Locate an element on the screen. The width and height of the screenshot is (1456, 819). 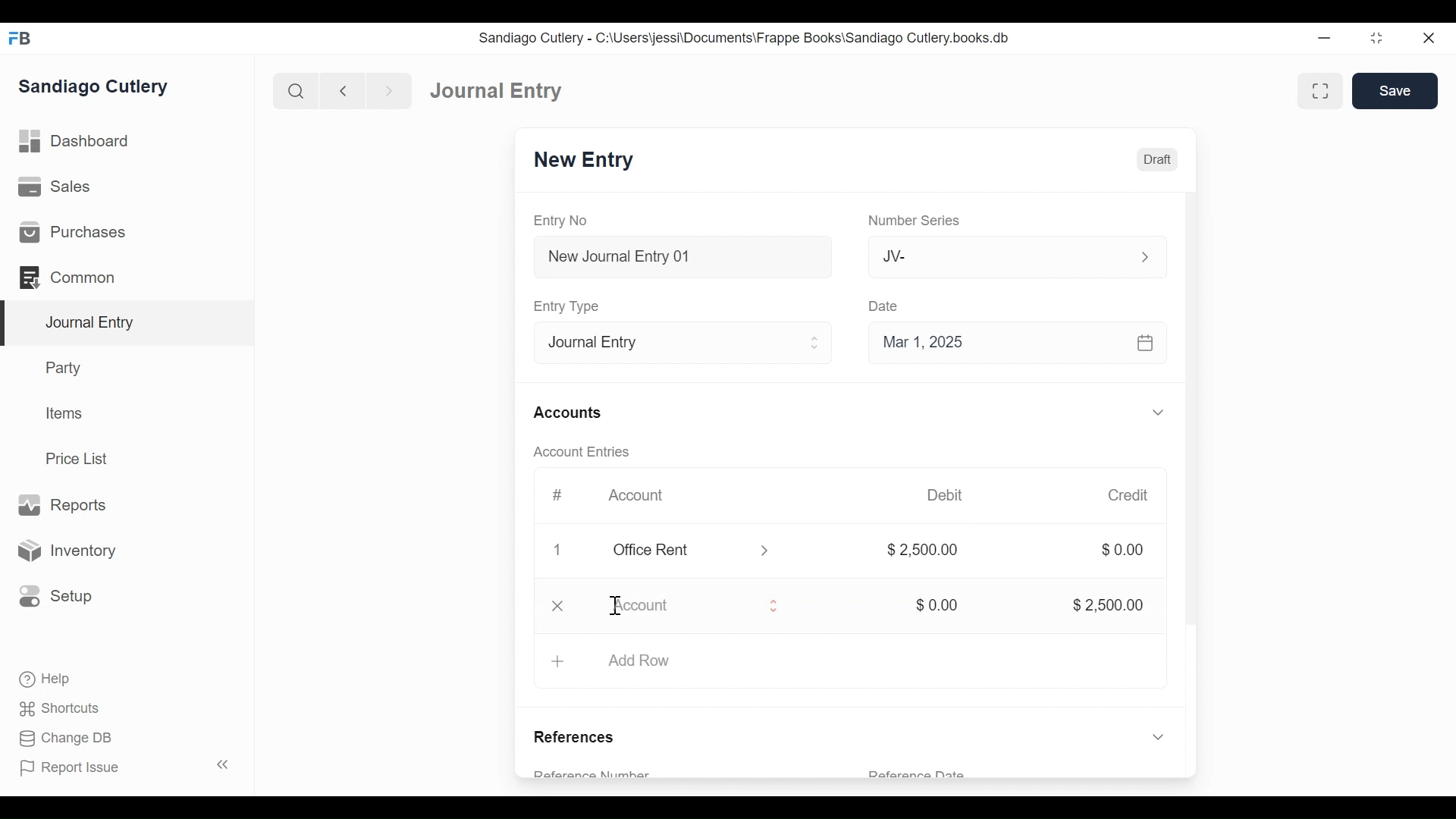
# is located at coordinates (552, 495).